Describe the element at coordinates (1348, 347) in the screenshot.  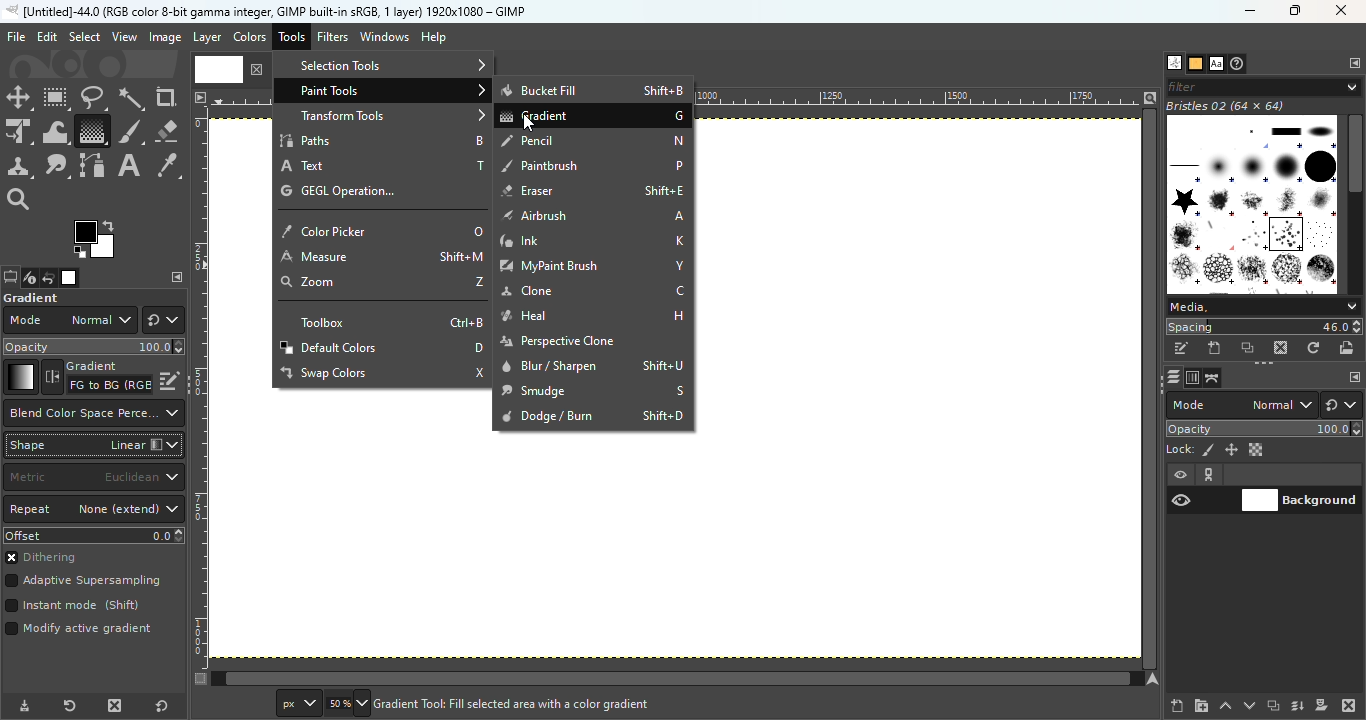
I see `Open brush as image` at that location.